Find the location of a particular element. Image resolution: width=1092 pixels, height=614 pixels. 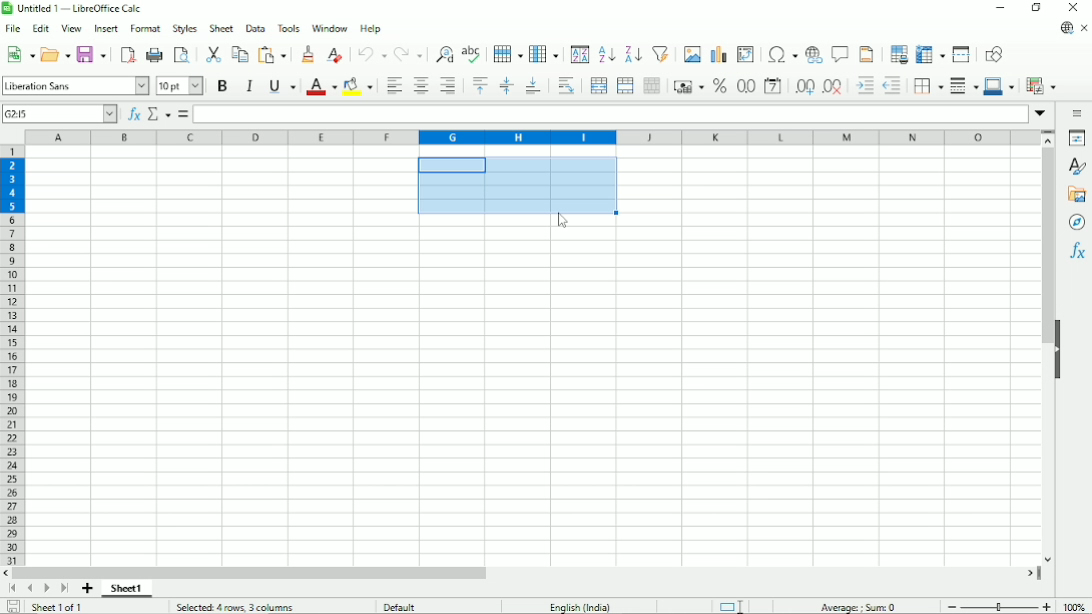

Zoom factor is located at coordinates (1077, 607).